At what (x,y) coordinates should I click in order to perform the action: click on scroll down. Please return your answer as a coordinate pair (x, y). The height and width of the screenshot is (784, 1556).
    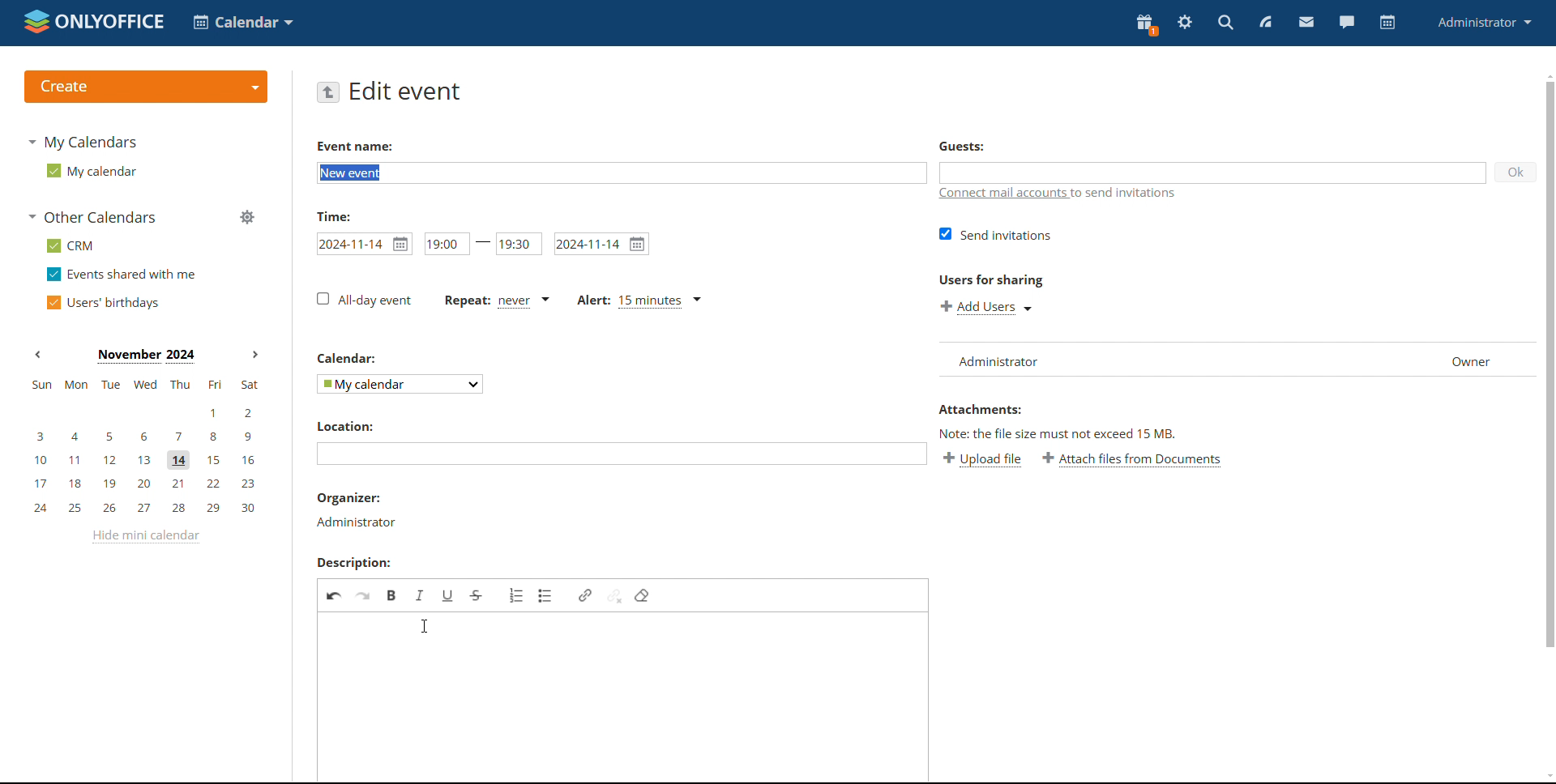
    Looking at the image, I should click on (1546, 775).